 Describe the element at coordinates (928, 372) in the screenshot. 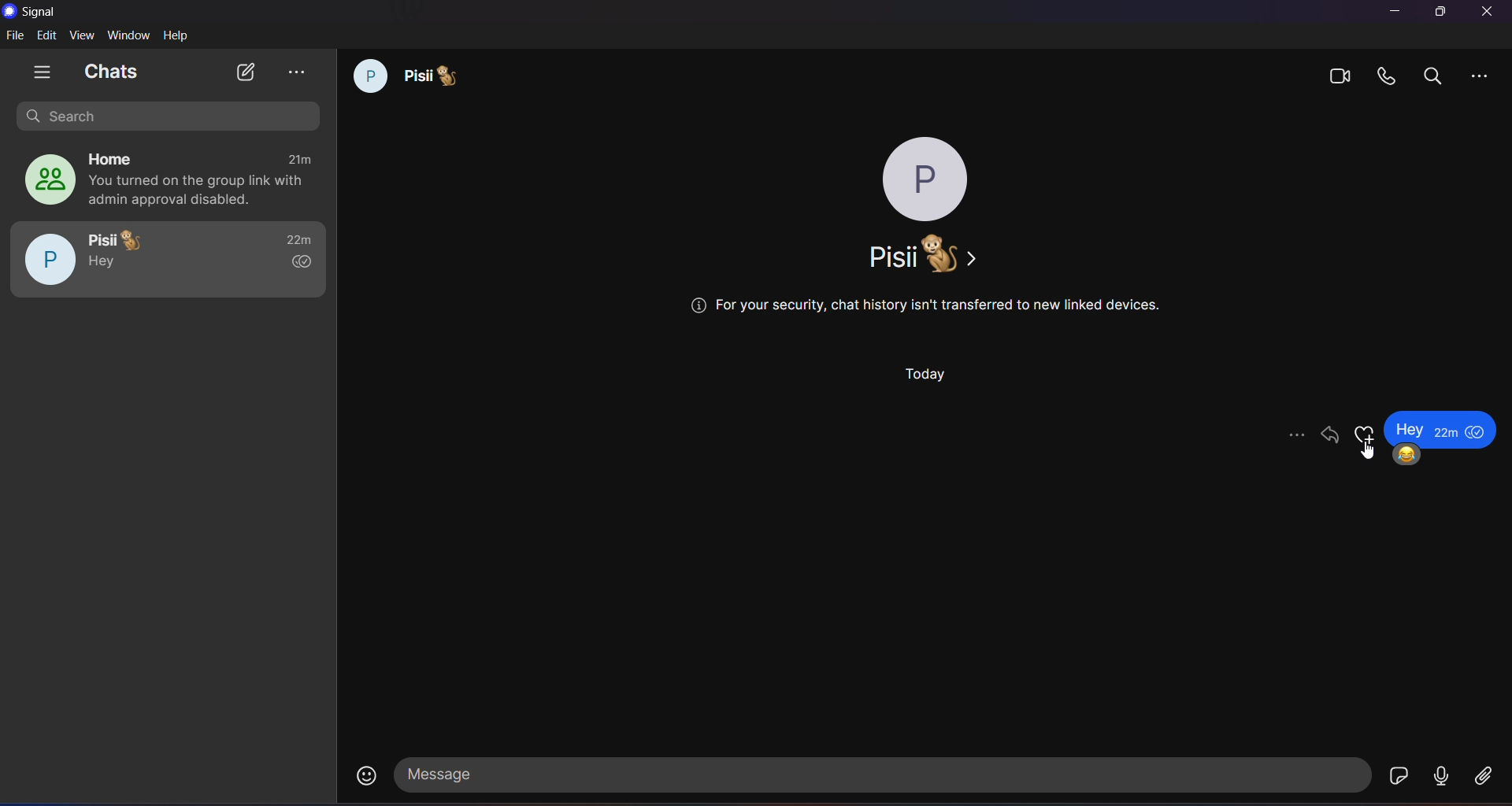

I see `day` at that location.